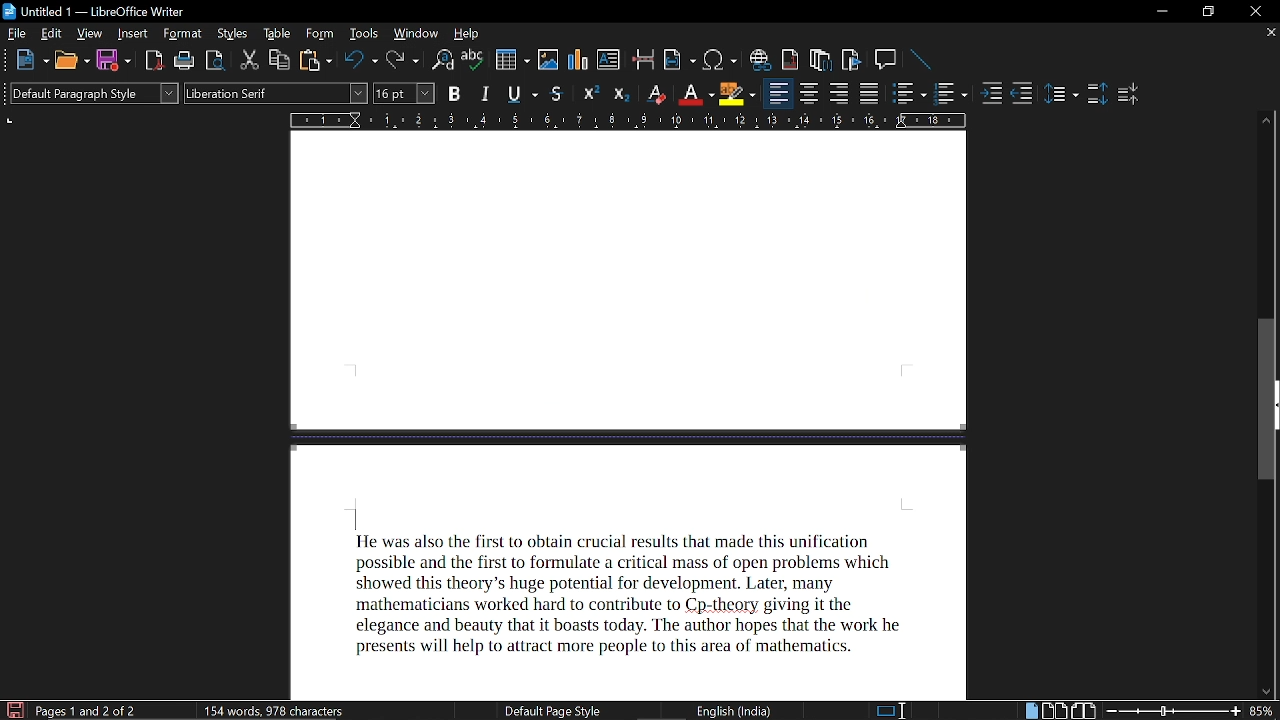 The height and width of the screenshot is (720, 1280). Describe the element at coordinates (415, 36) in the screenshot. I see `Window` at that location.